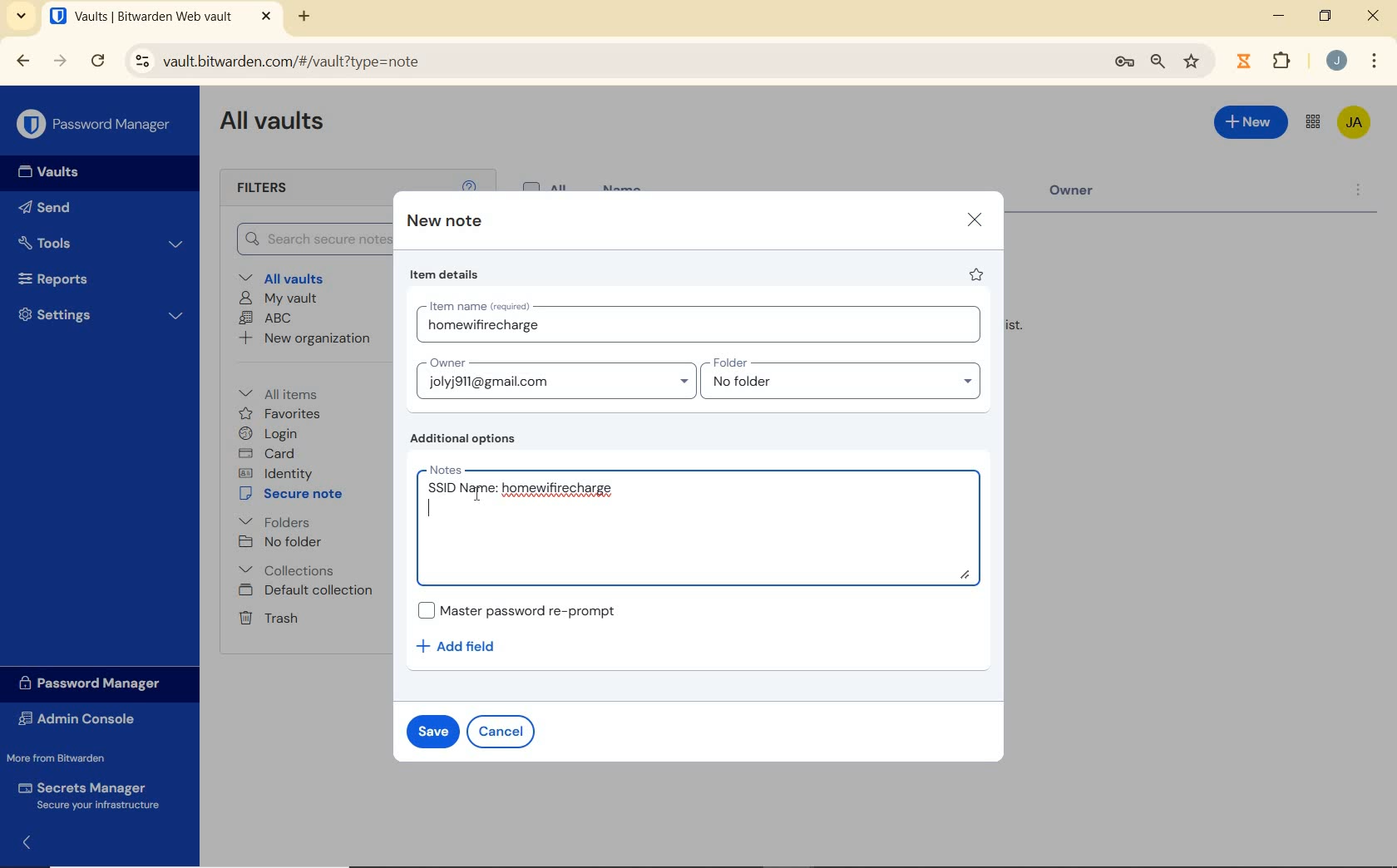 The image size is (1397, 868). What do you see at coordinates (281, 189) in the screenshot?
I see `Filters` at bounding box center [281, 189].